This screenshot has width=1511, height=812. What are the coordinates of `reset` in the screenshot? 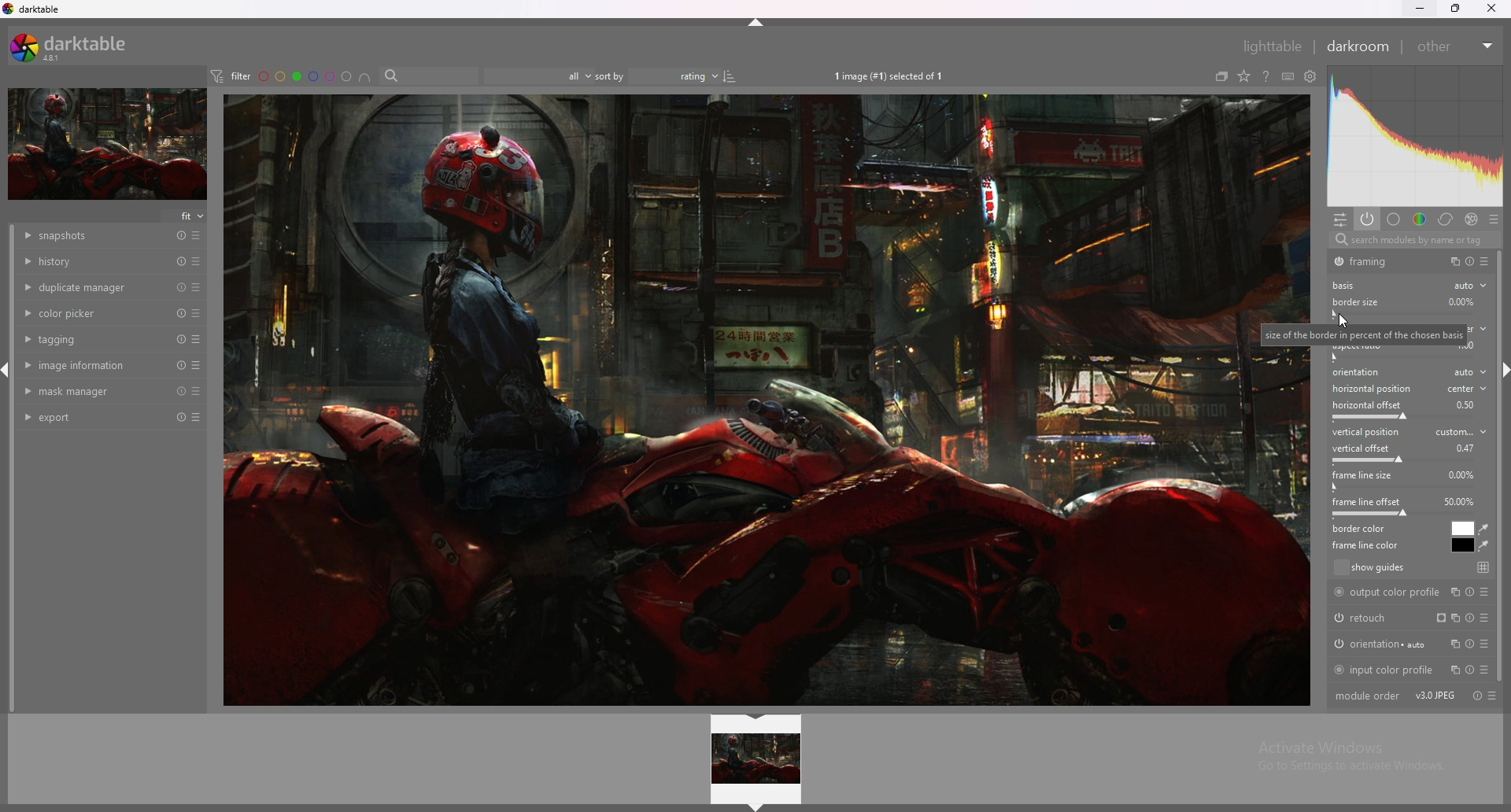 It's located at (181, 236).